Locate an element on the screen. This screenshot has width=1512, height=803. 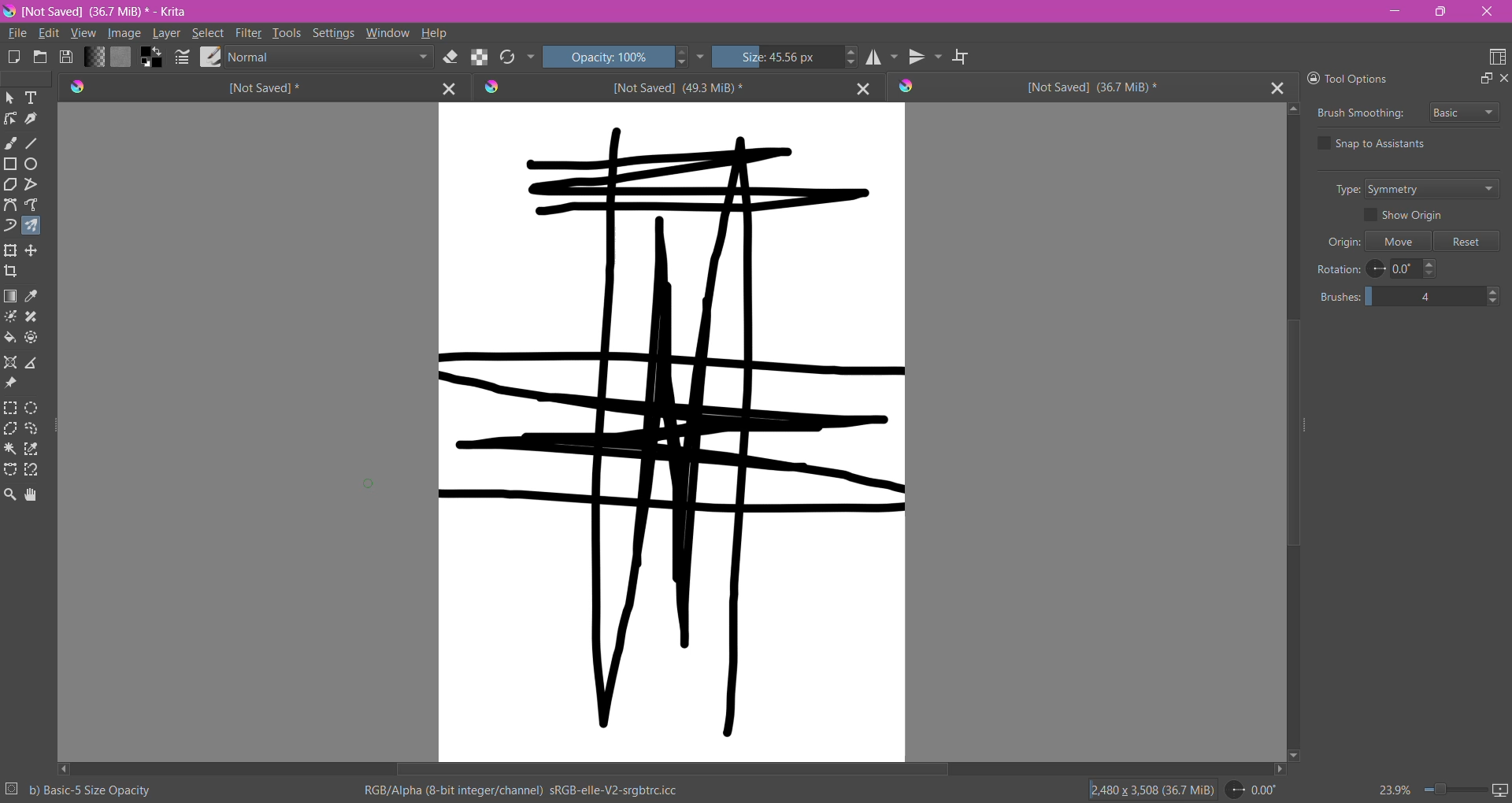
Tools is located at coordinates (287, 31).